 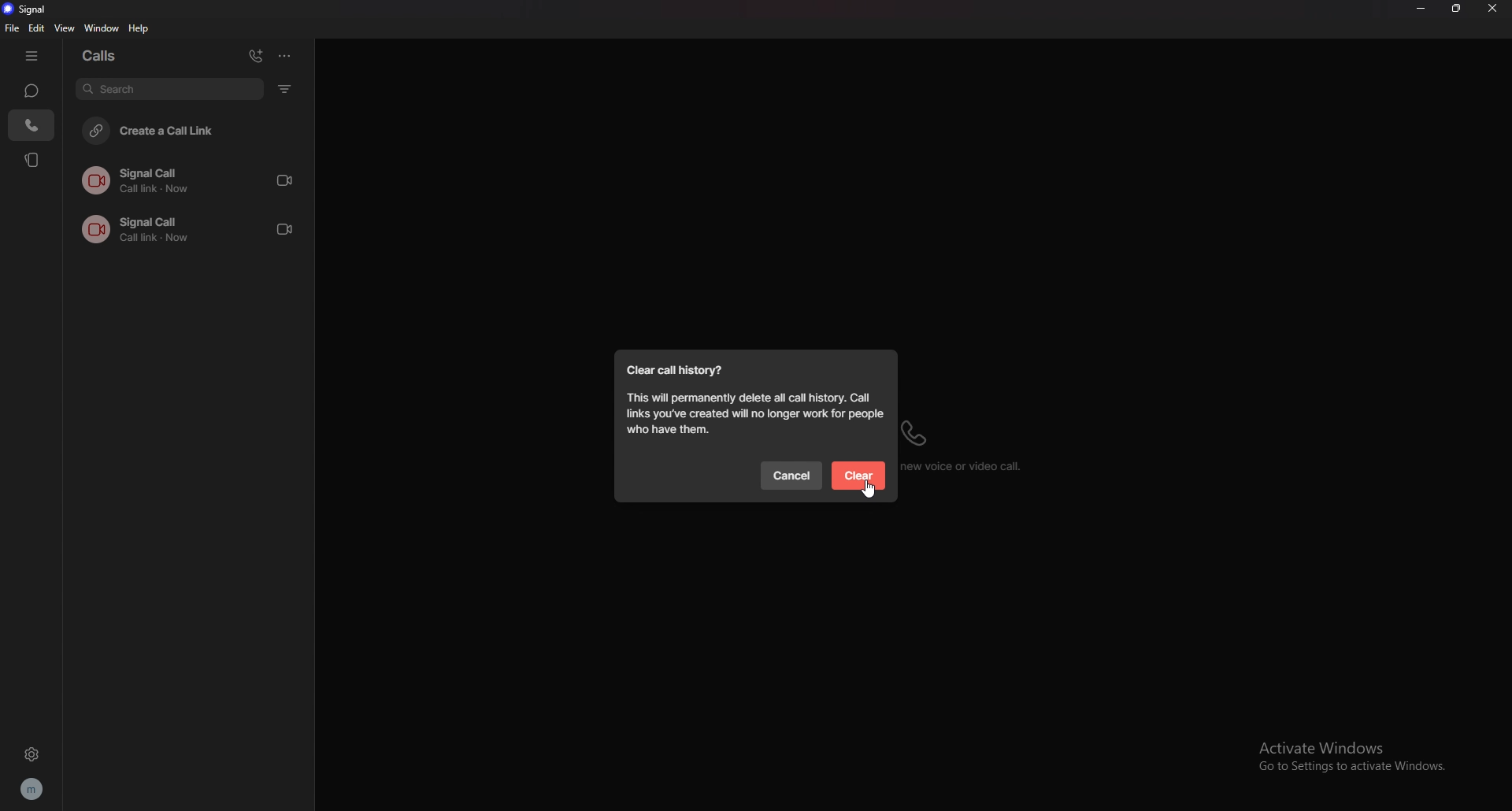 What do you see at coordinates (13, 28) in the screenshot?
I see `file` at bounding box center [13, 28].